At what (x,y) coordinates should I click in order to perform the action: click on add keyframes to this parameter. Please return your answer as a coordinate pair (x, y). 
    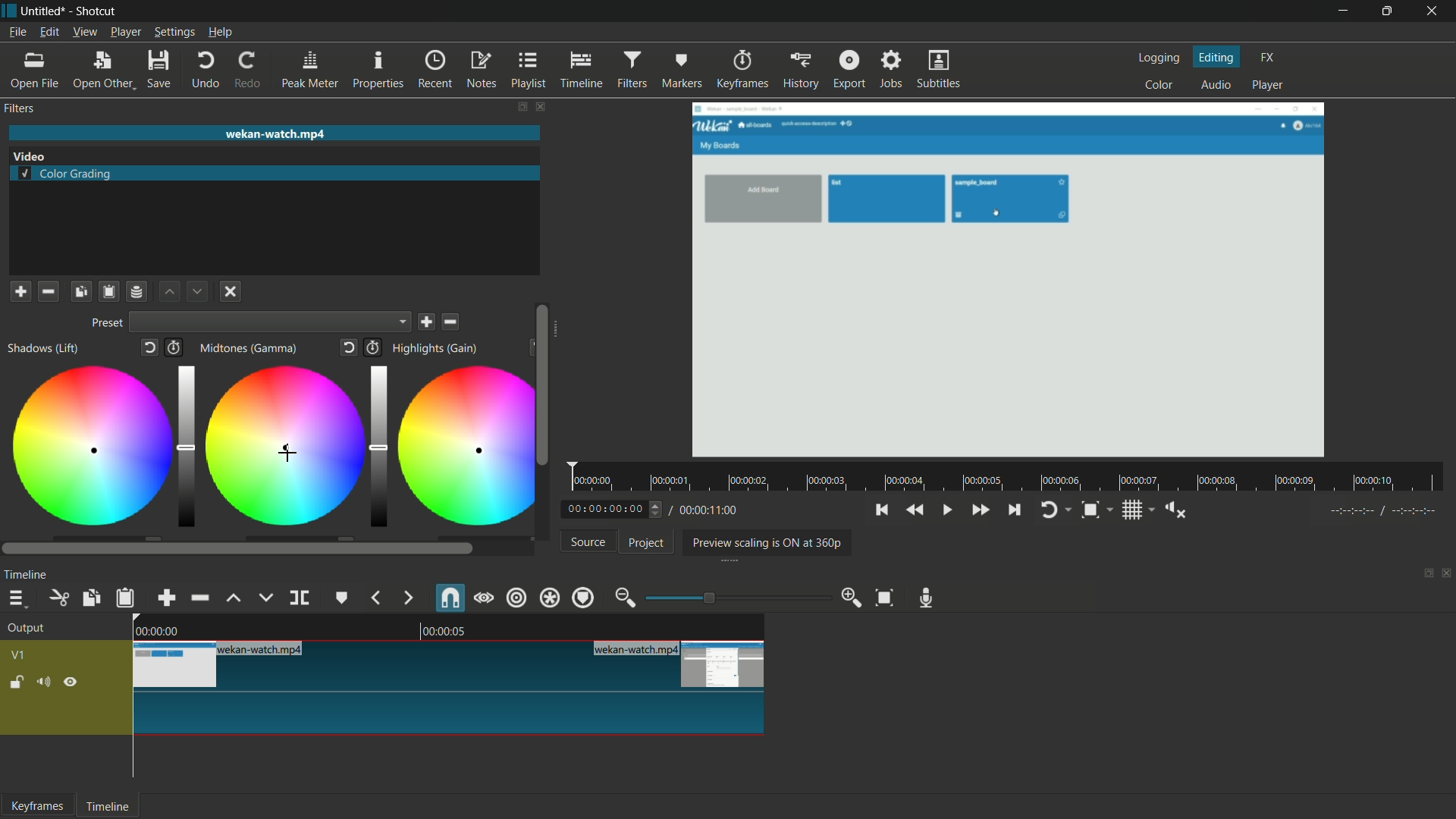
    Looking at the image, I should click on (174, 347).